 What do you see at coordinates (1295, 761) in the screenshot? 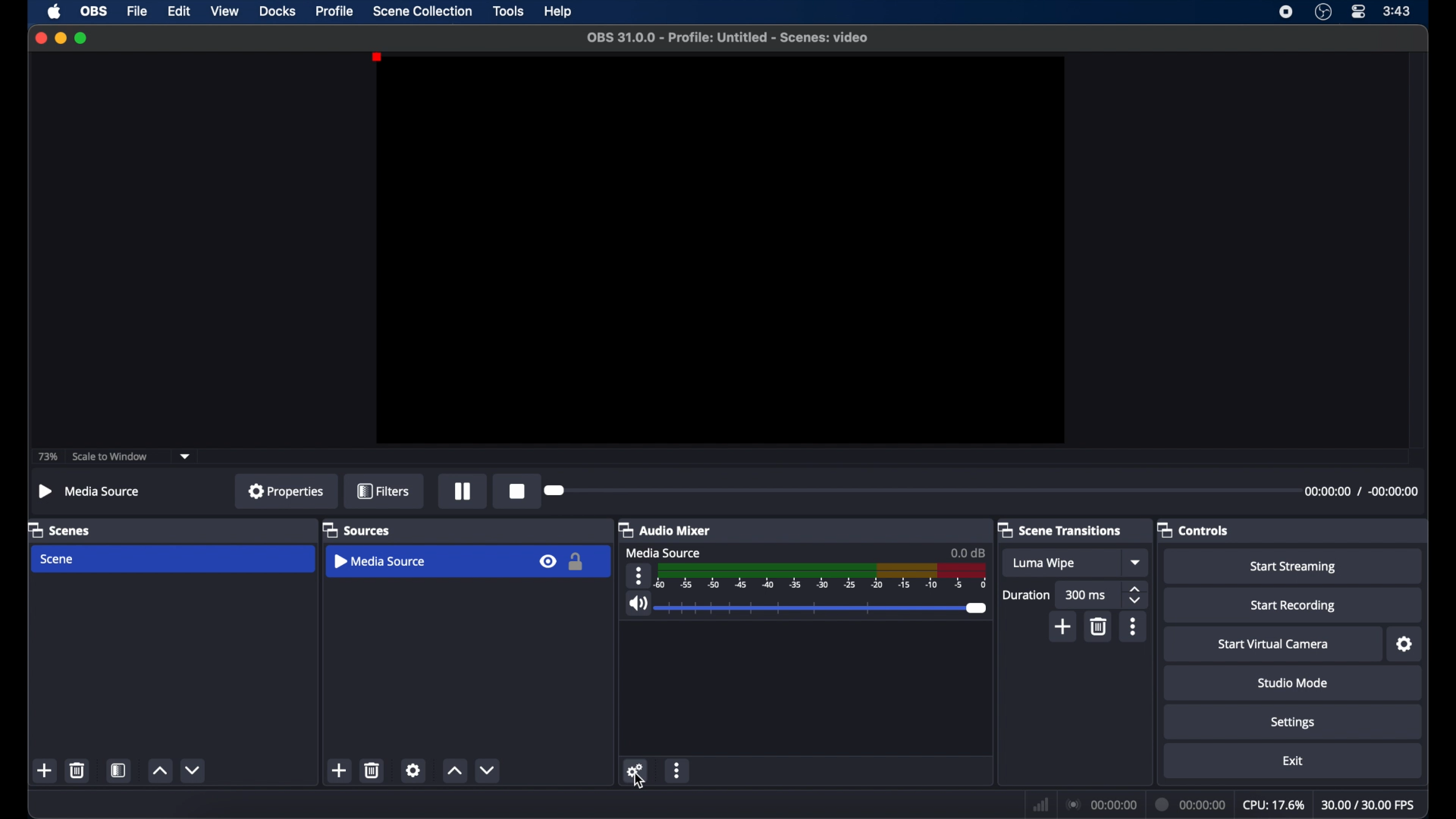
I see `exit` at bounding box center [1295, 761].